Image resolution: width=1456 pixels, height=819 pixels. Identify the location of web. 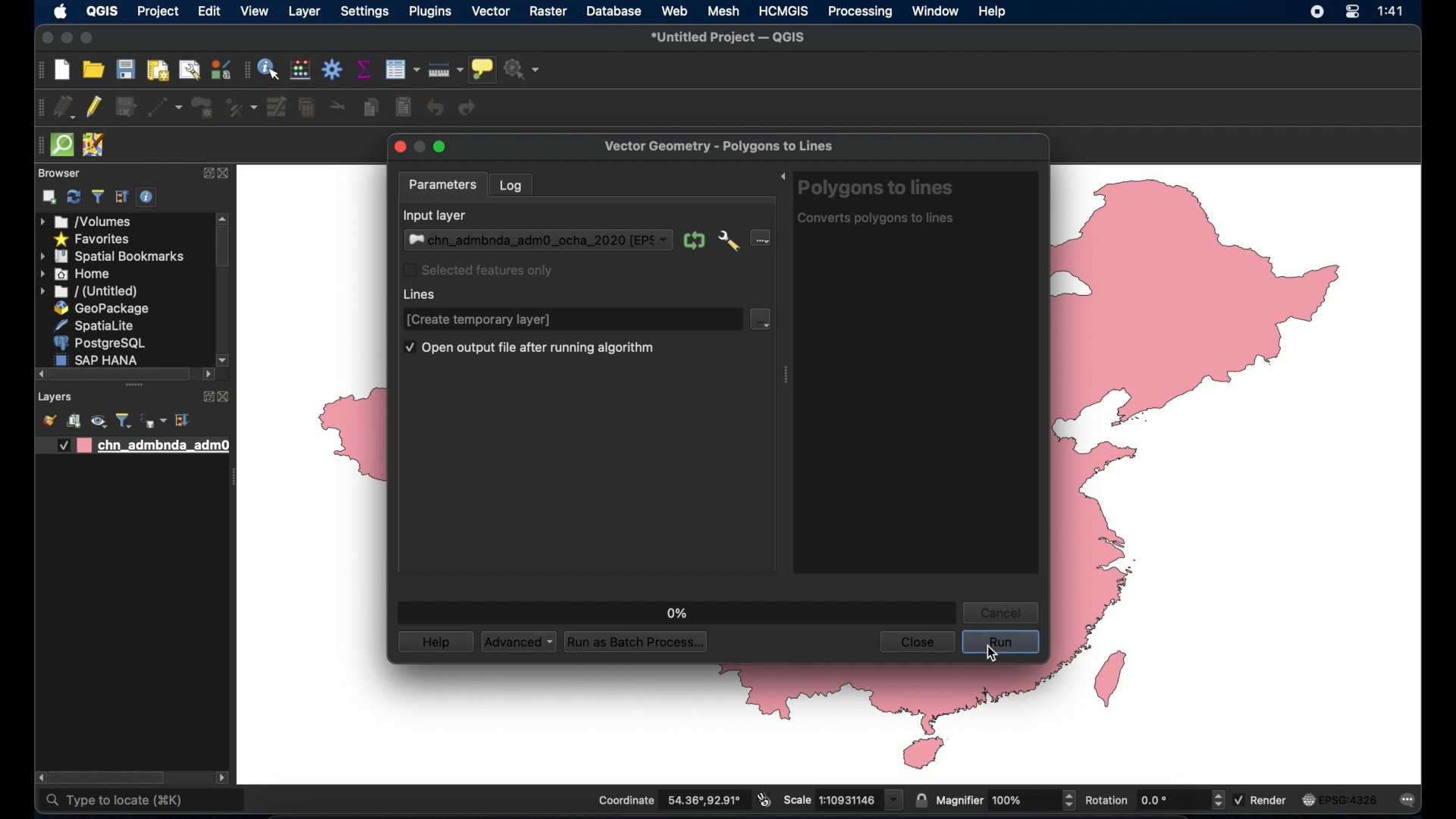
(674, 11).